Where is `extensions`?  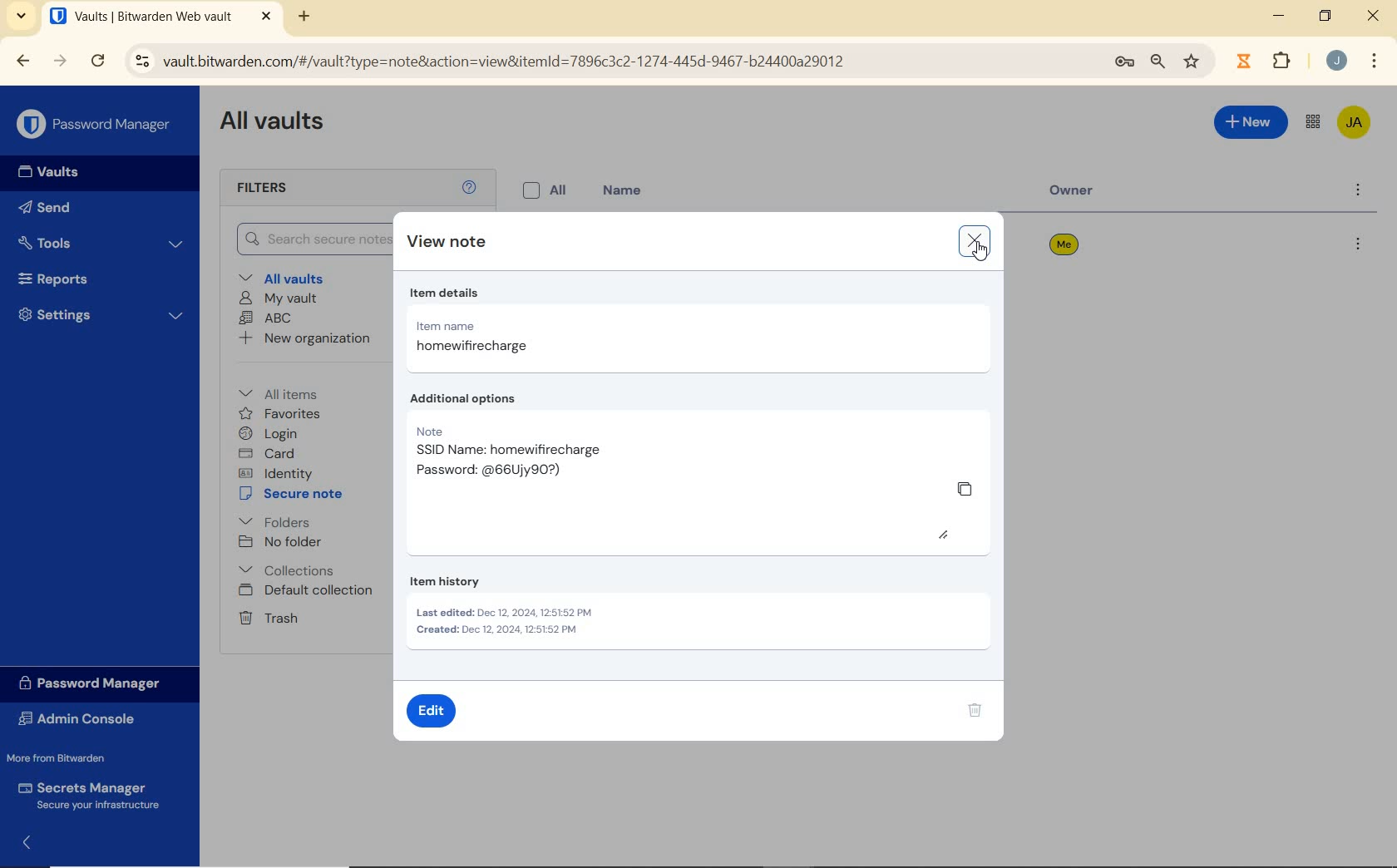
extensions is located at coordinates (1242, 62).